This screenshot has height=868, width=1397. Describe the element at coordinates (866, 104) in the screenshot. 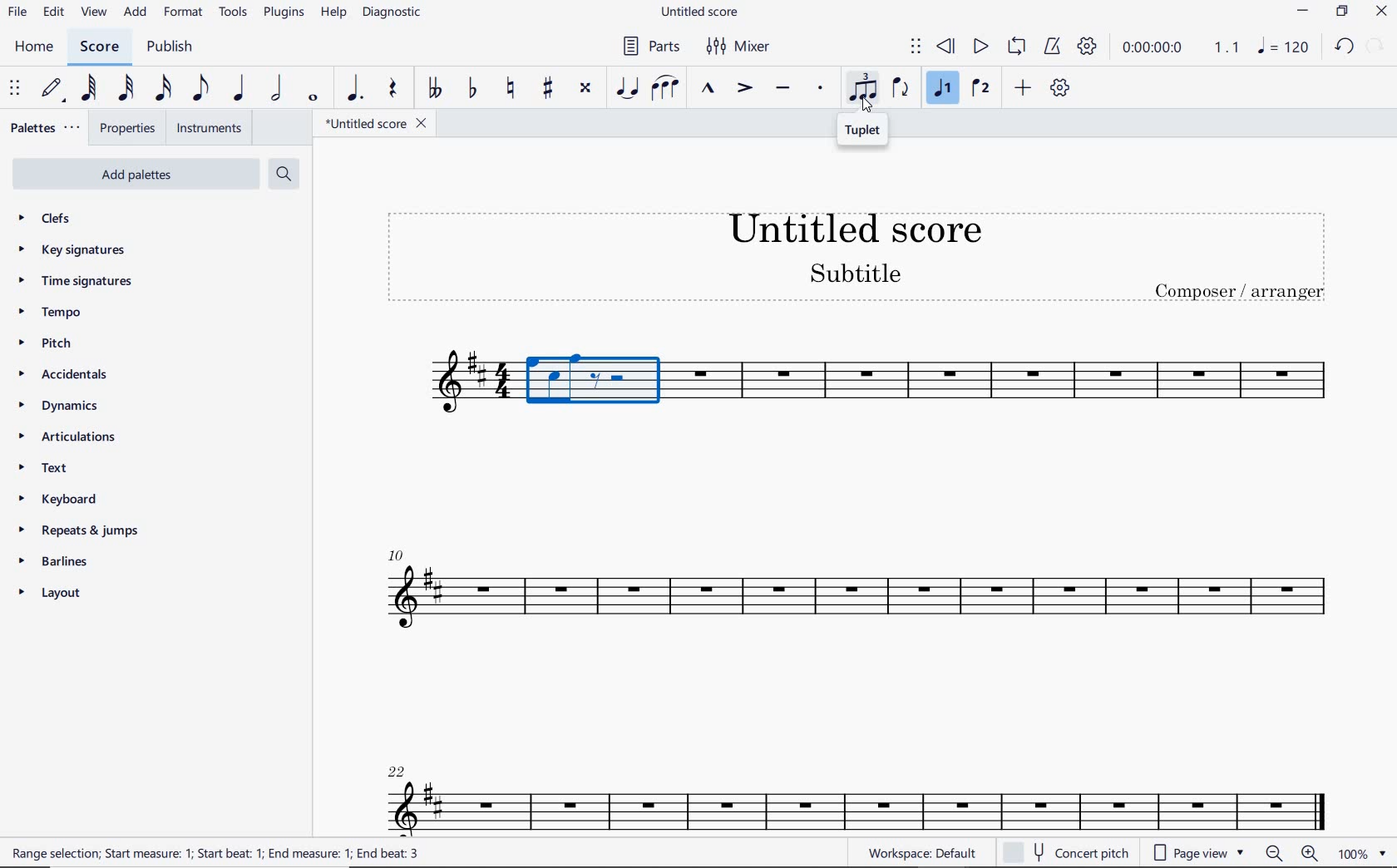

I see `cursor` at that location.